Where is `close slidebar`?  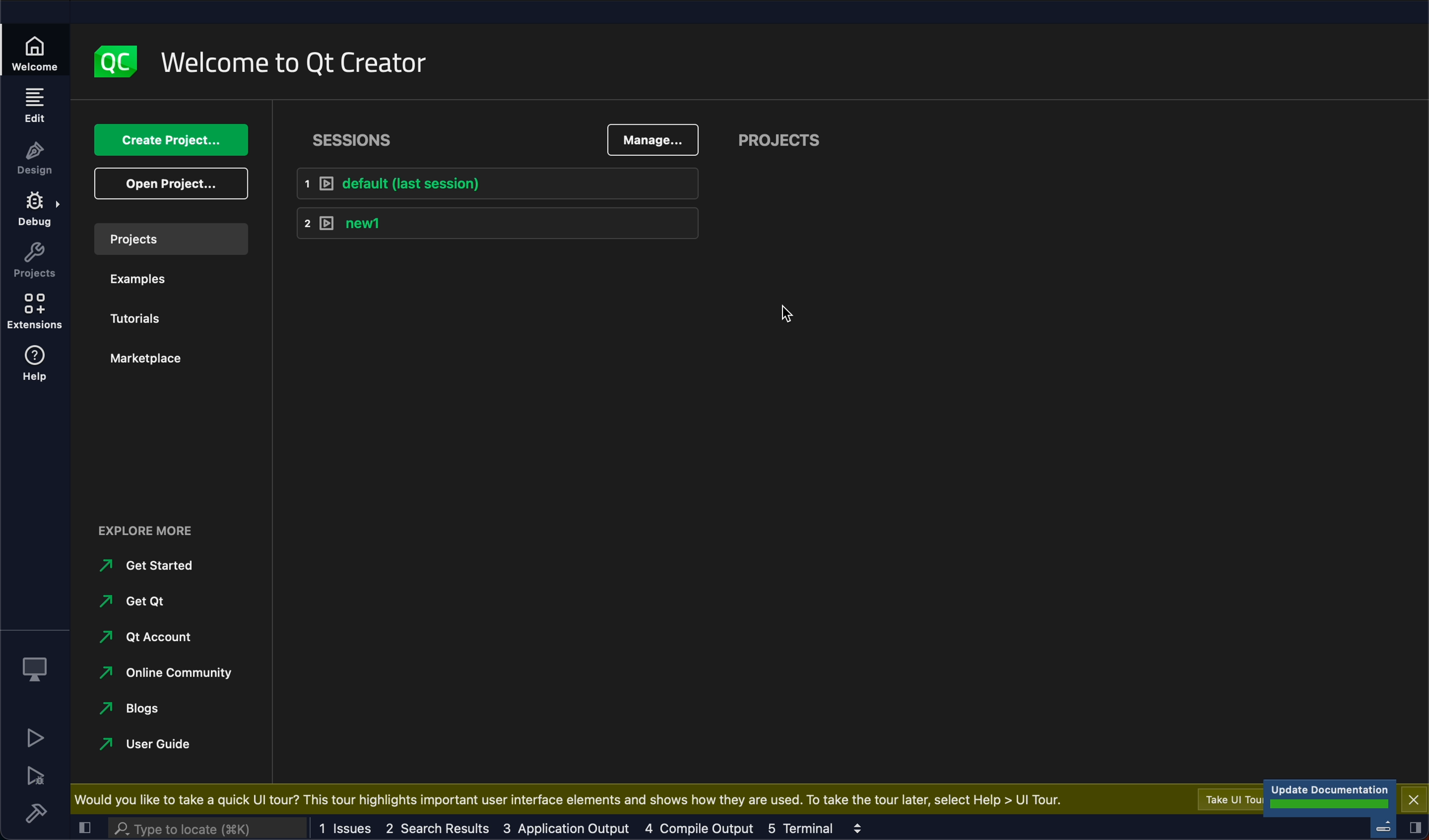
close slidebar is located at coordinates (84, 826).